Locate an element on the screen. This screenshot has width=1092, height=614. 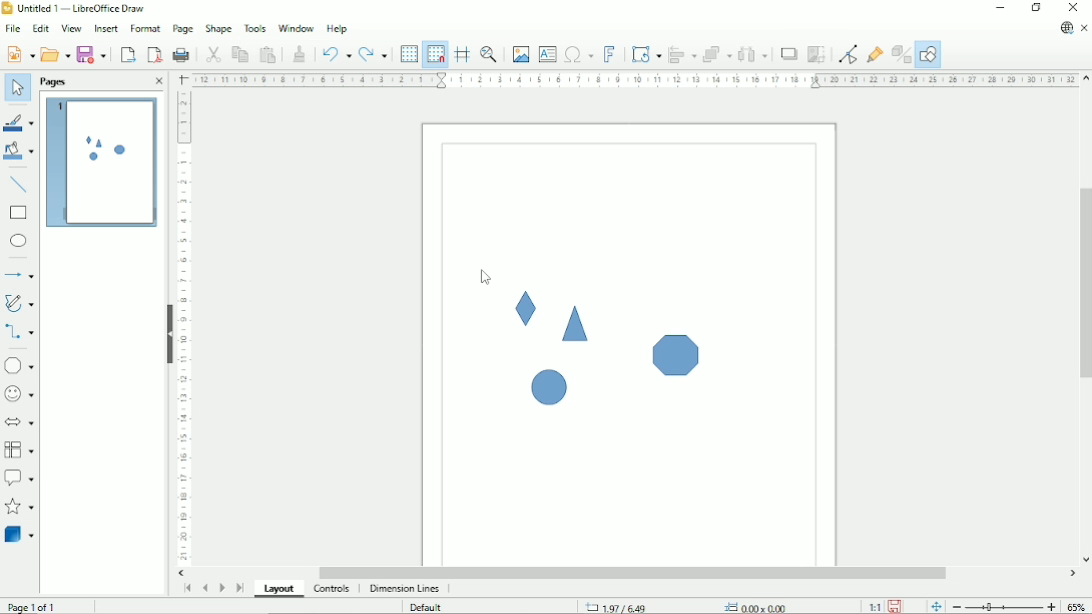
Cut is located at coordinates (214, 54).